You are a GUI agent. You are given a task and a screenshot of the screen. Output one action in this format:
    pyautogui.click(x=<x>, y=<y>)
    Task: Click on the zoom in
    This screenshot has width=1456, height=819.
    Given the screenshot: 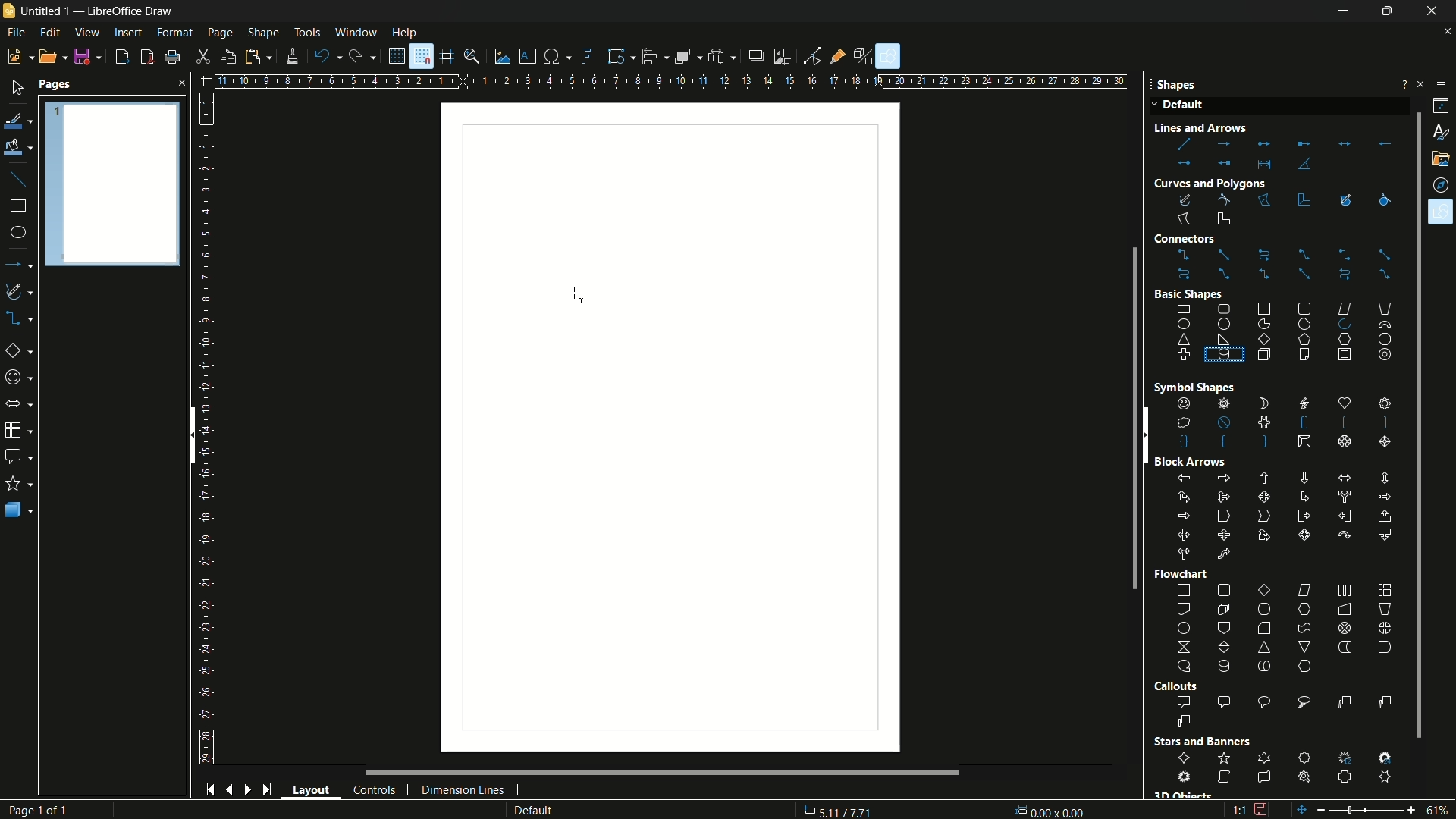 What is the action you would take?
    pyautogui.click(x=1413, y=808)
    